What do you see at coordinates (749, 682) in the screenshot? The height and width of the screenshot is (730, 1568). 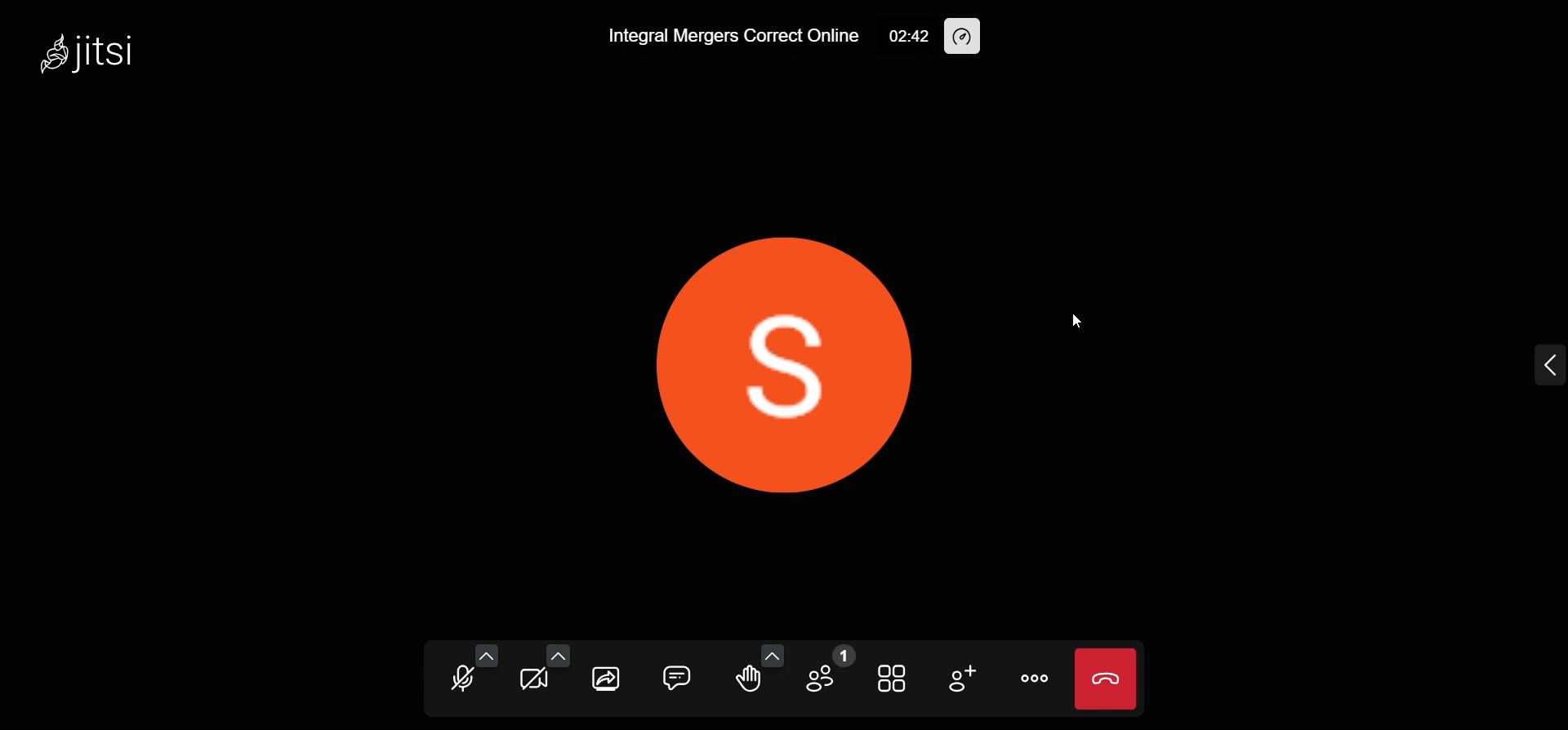 I see `raise your hand` at bounding box center [749, 682].